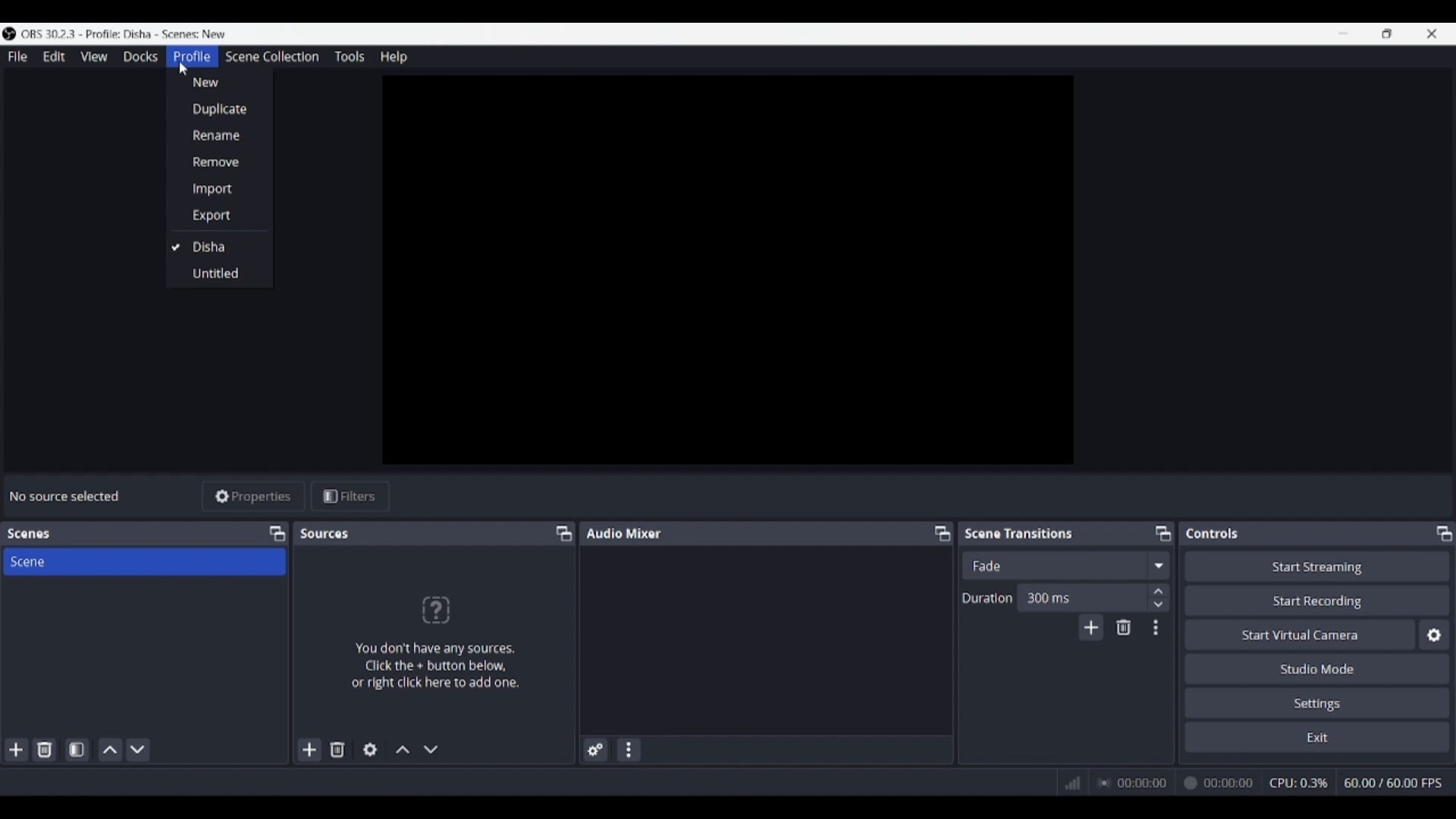 The height and width of the screenshot is (819, 1456). I want to click on Audio mixer menu, so click(628, 750).